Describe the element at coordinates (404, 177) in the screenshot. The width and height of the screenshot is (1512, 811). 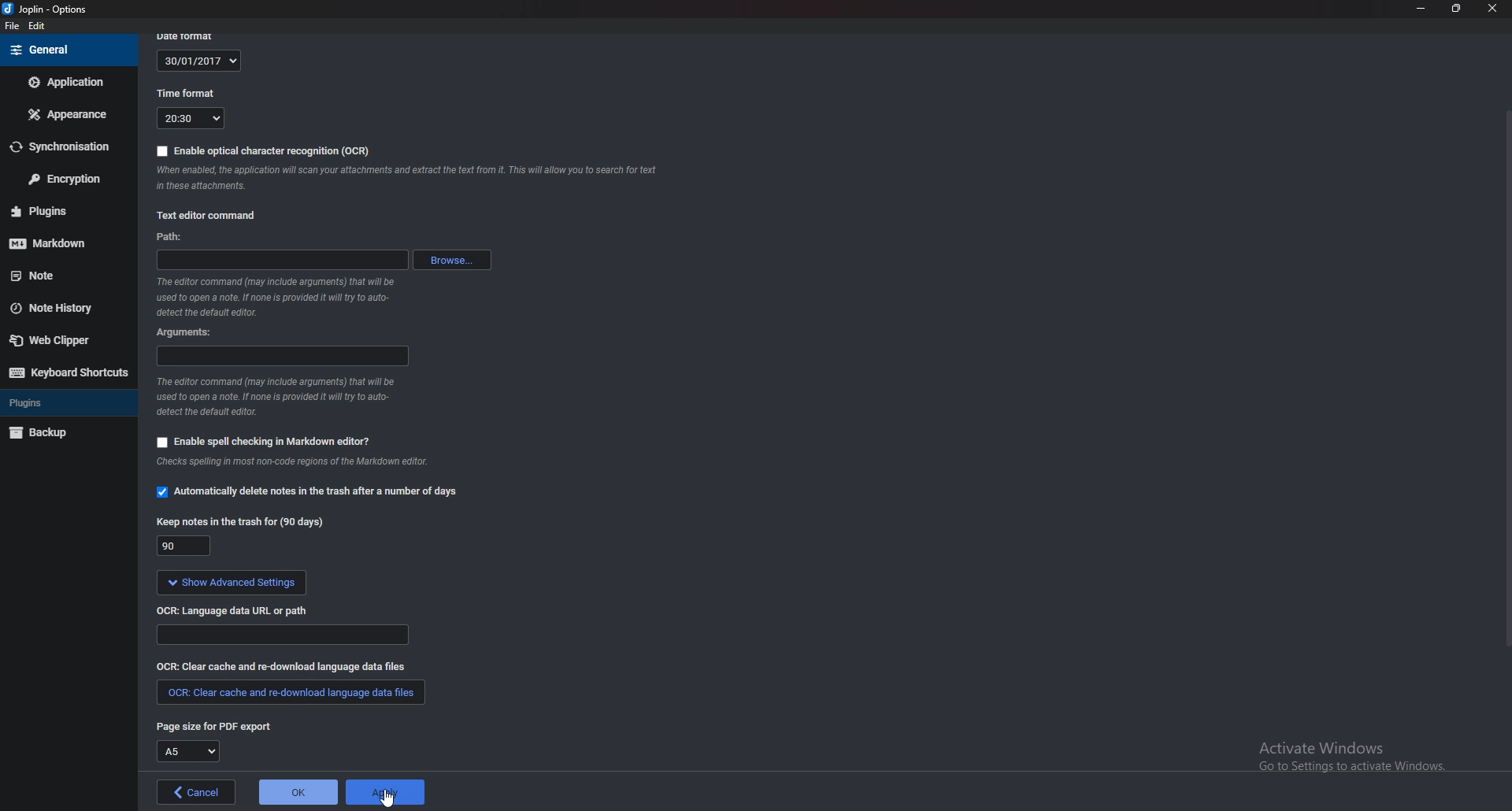
I see `ocr info` at that location.